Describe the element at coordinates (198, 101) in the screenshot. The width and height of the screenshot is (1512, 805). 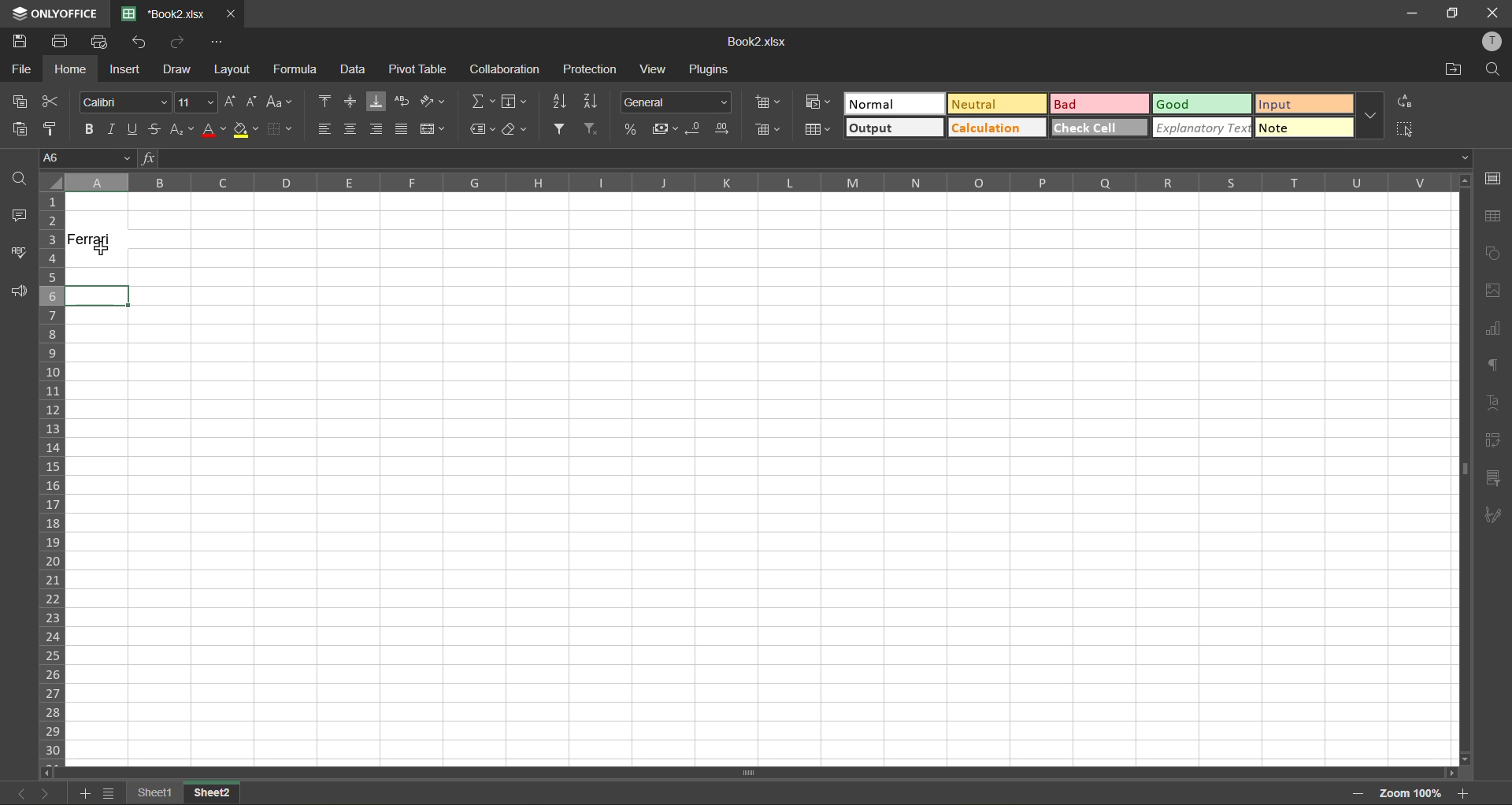
I see `font size` at that location.